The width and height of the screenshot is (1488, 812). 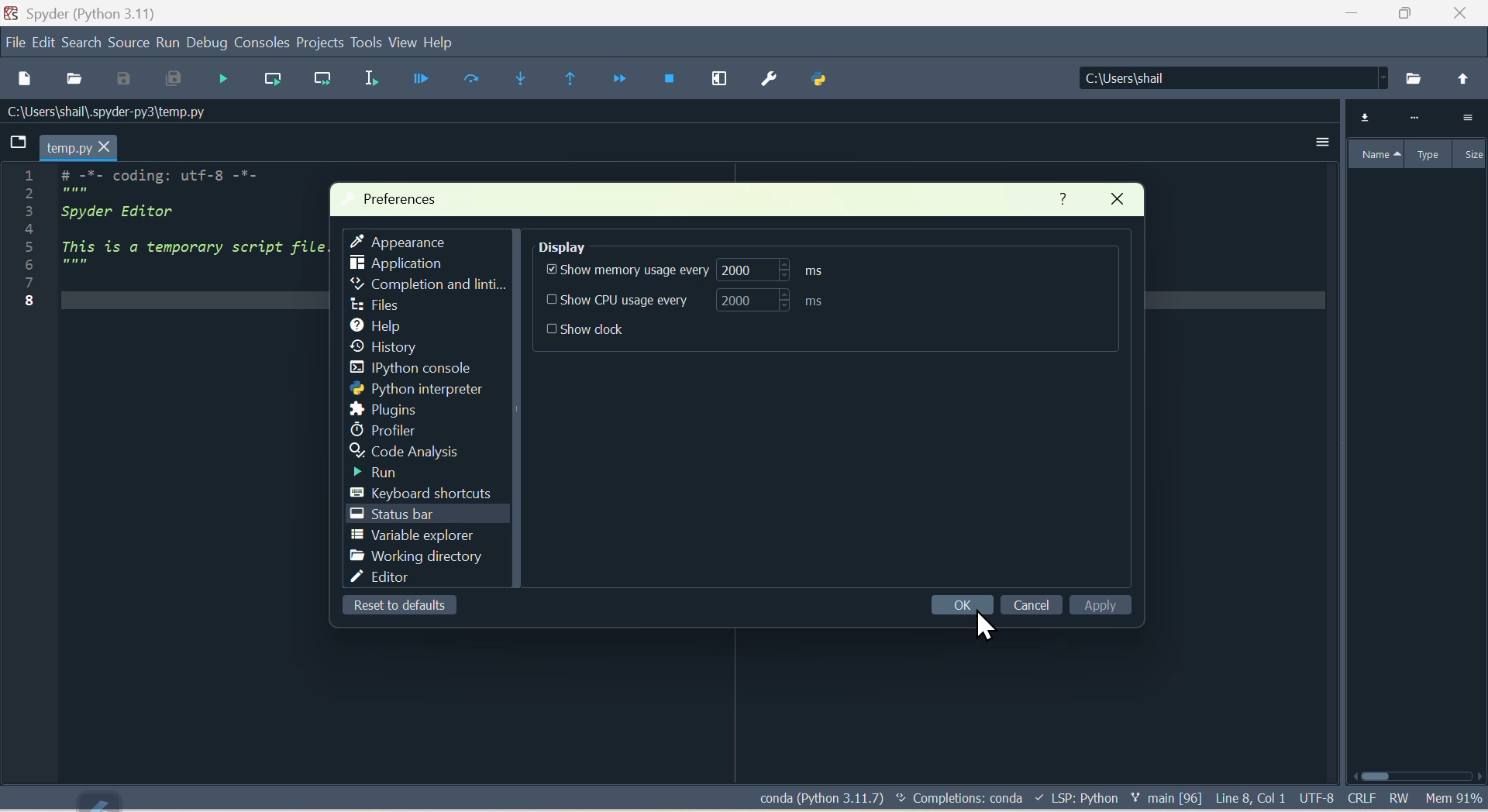 I want to click on Python path manager, so click(x=831, y=79).